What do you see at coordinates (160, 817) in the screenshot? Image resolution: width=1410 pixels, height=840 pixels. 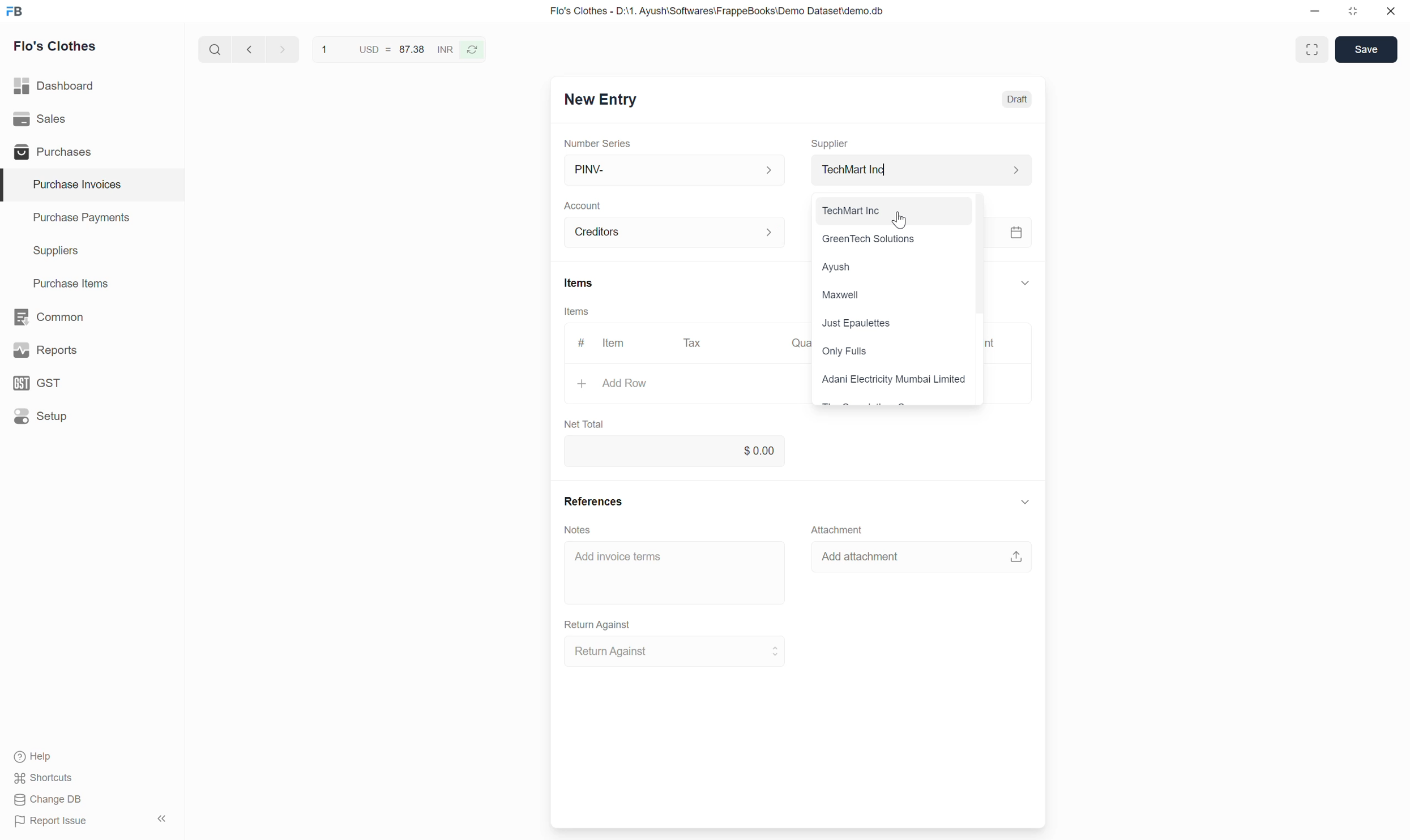 I see `hide` at bounding box center [160, 817].